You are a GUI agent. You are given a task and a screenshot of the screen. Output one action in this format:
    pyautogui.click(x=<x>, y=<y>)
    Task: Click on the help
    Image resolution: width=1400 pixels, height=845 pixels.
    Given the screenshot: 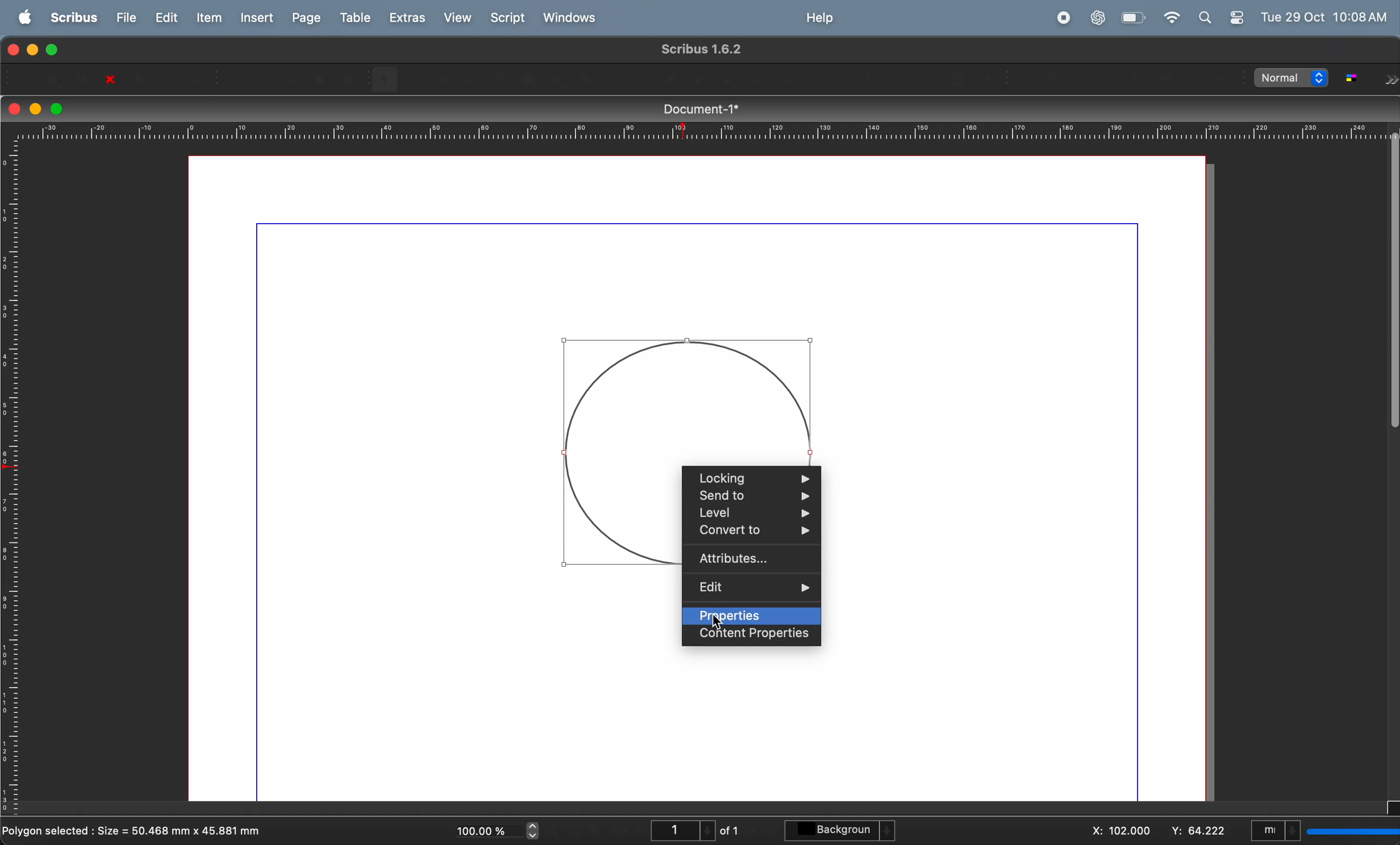 What is the action you would take?
    pyautogui.click(x=821, y=19)
    